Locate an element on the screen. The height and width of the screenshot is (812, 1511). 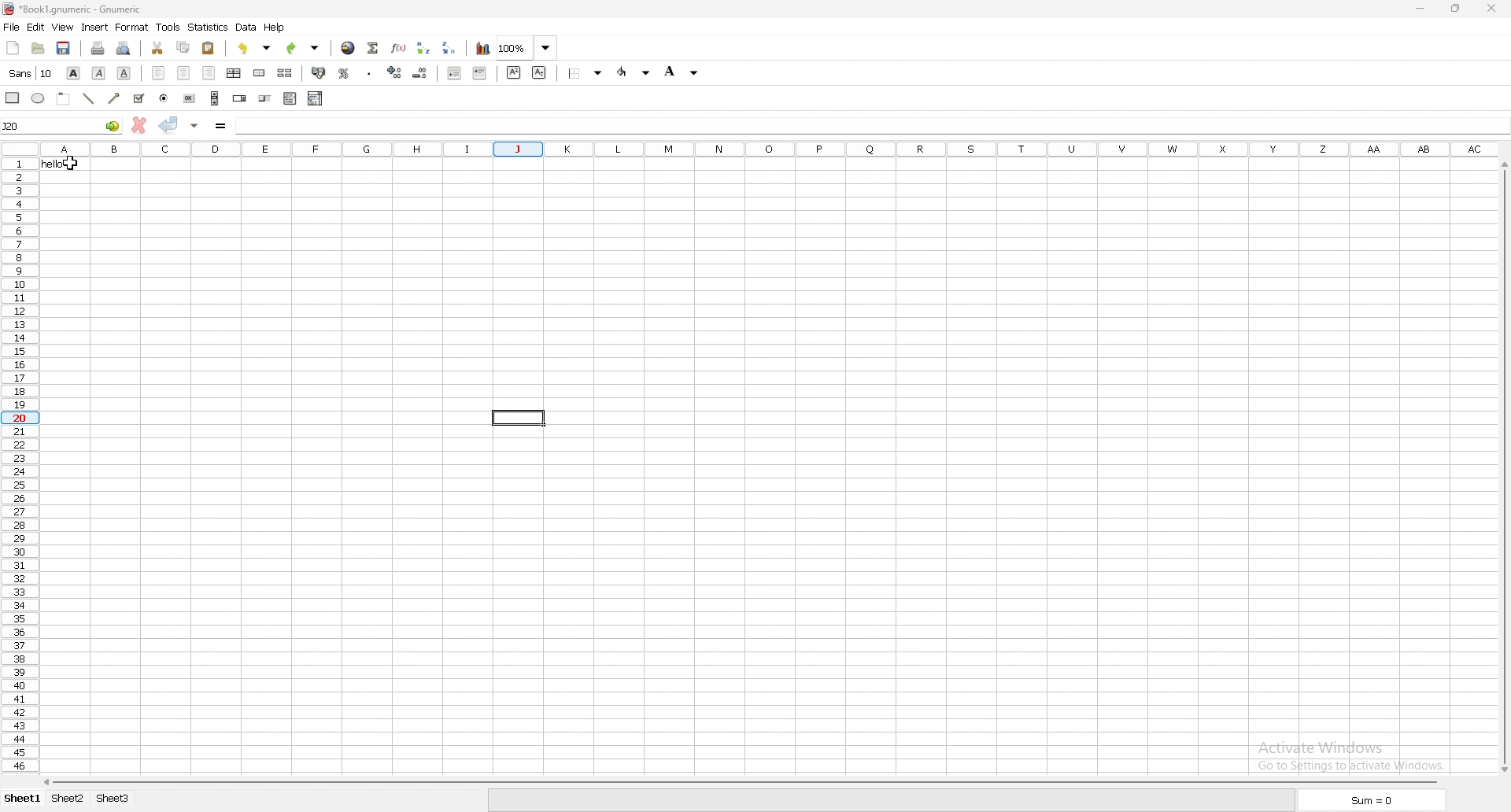
italic is located at coordinates (98, 73).